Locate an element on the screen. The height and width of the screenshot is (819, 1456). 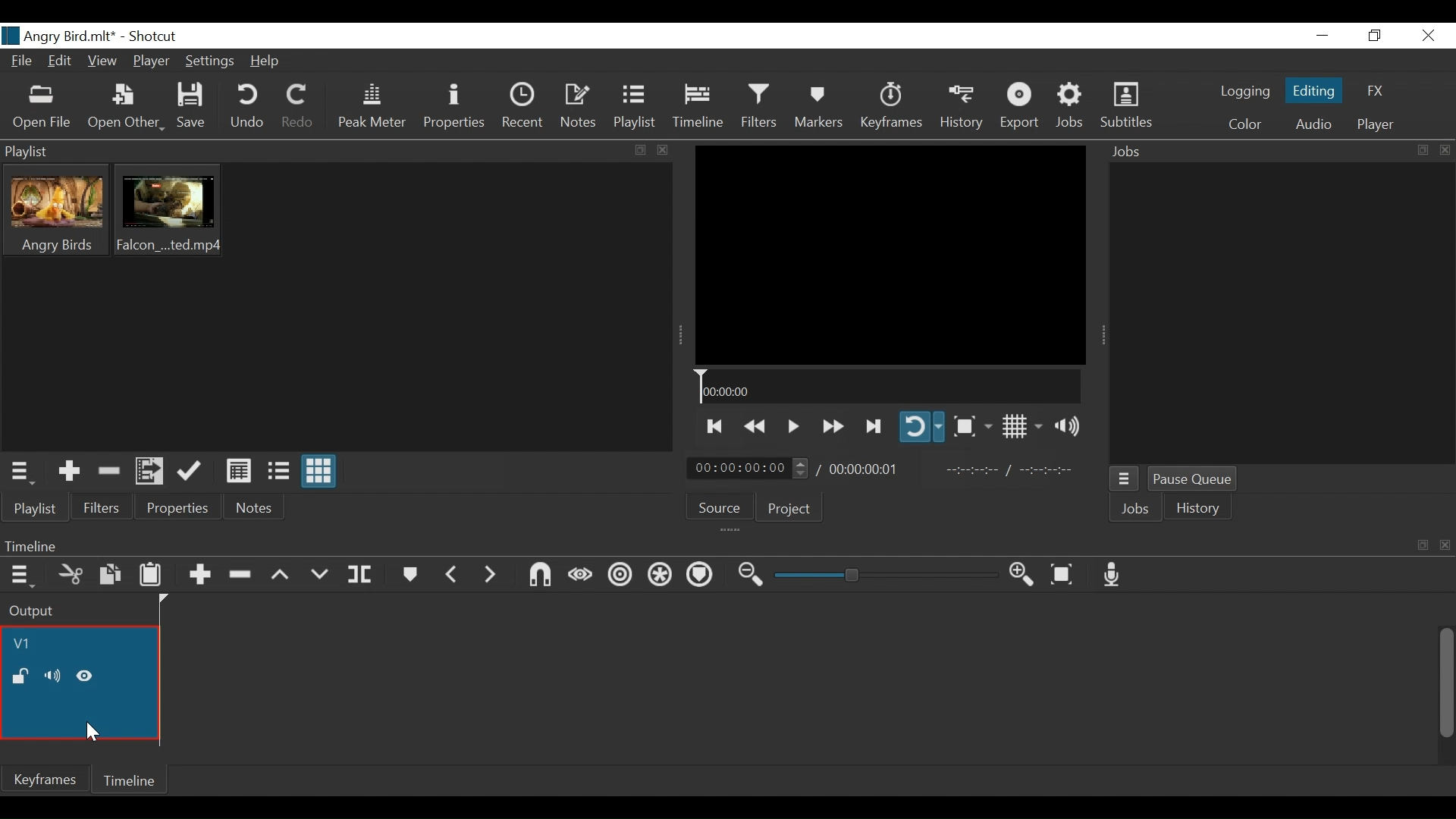
Paste is located at coordinates (152, 576).